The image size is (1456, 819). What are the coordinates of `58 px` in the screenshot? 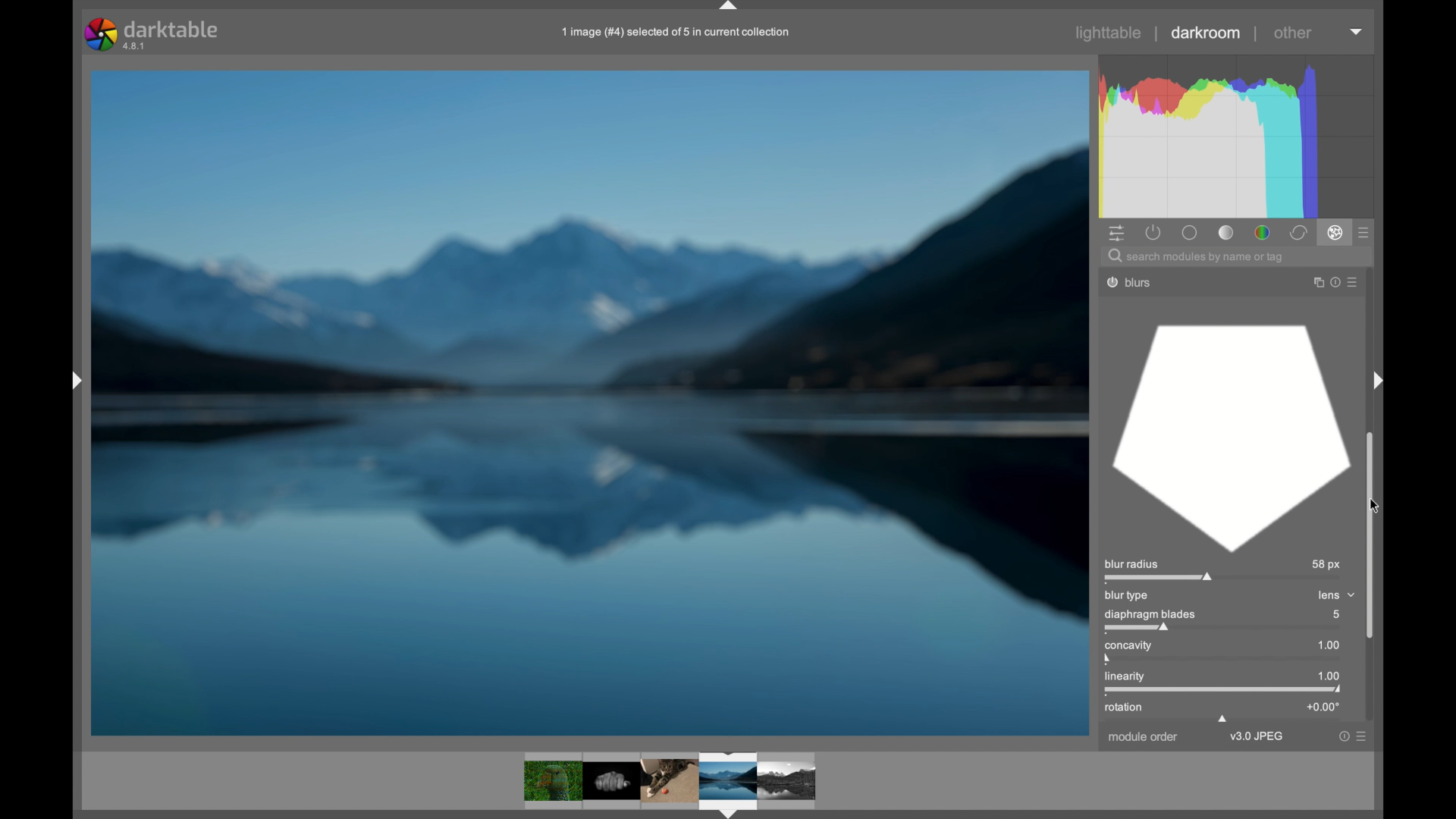 It's located at (1329, 563).